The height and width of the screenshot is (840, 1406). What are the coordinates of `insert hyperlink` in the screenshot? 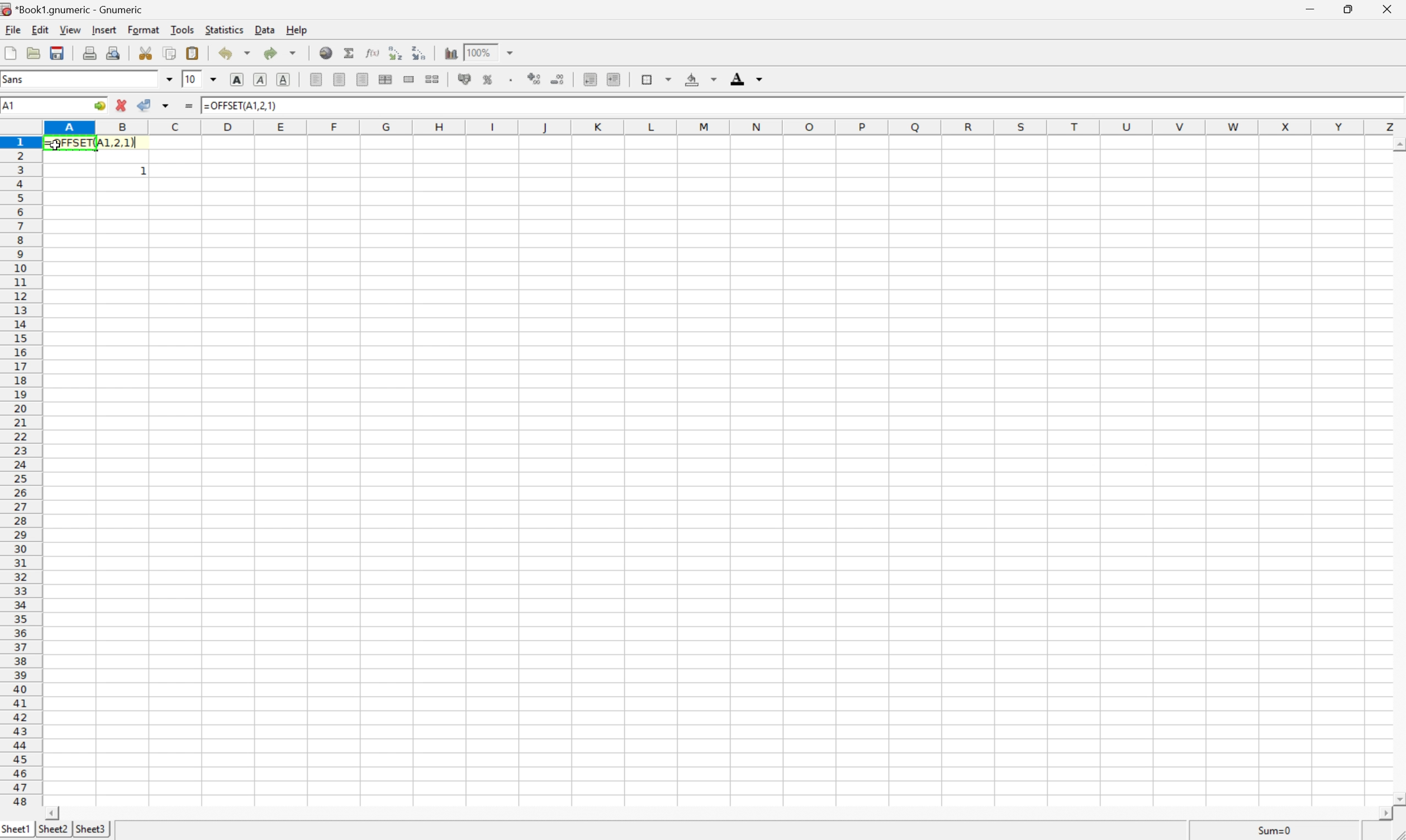 It's located at (324, 53).